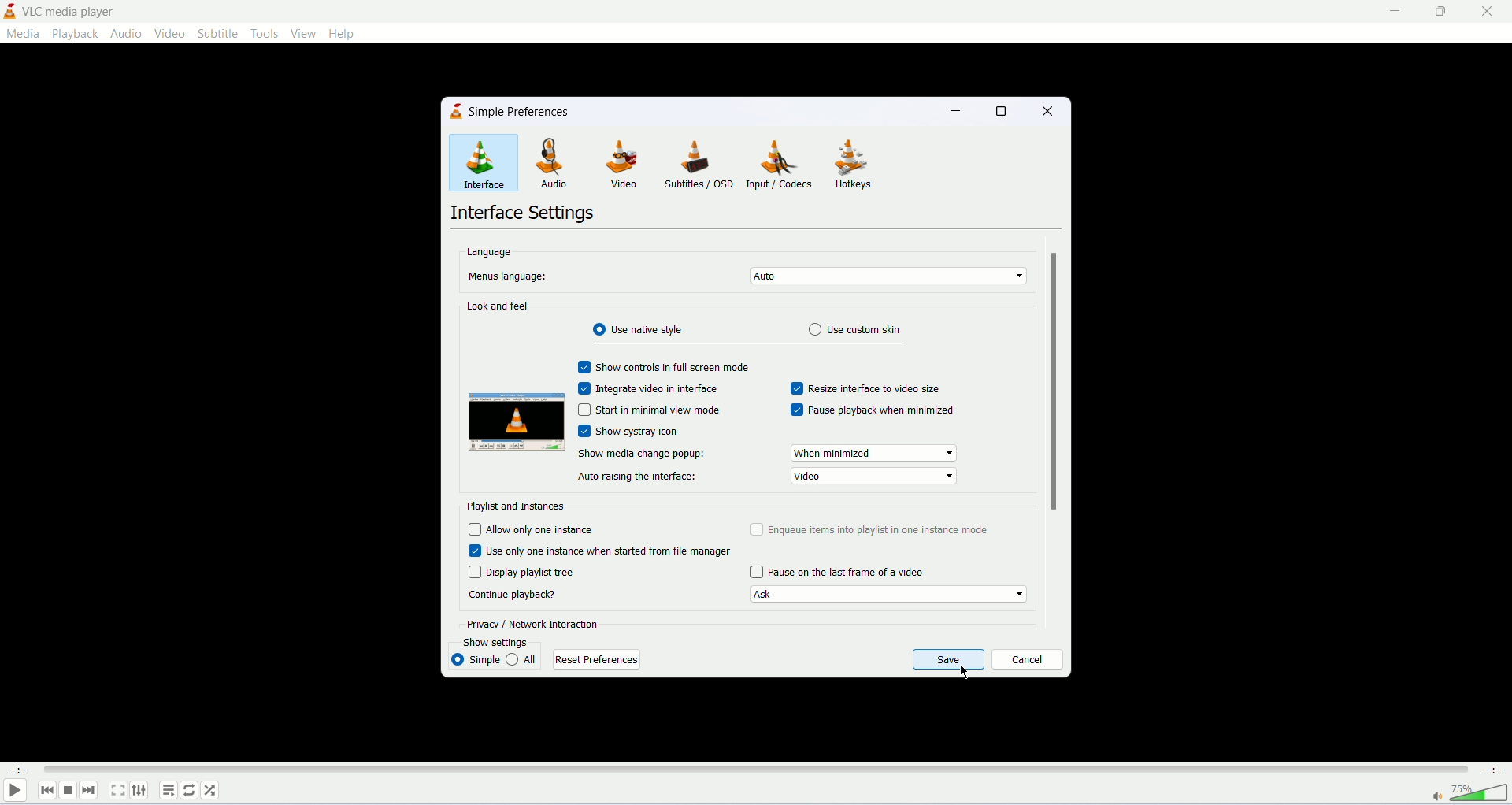 Image resolution: width=1512 pixels, height=805 pixels. I want to click on simple preferences, so click(517, 113).